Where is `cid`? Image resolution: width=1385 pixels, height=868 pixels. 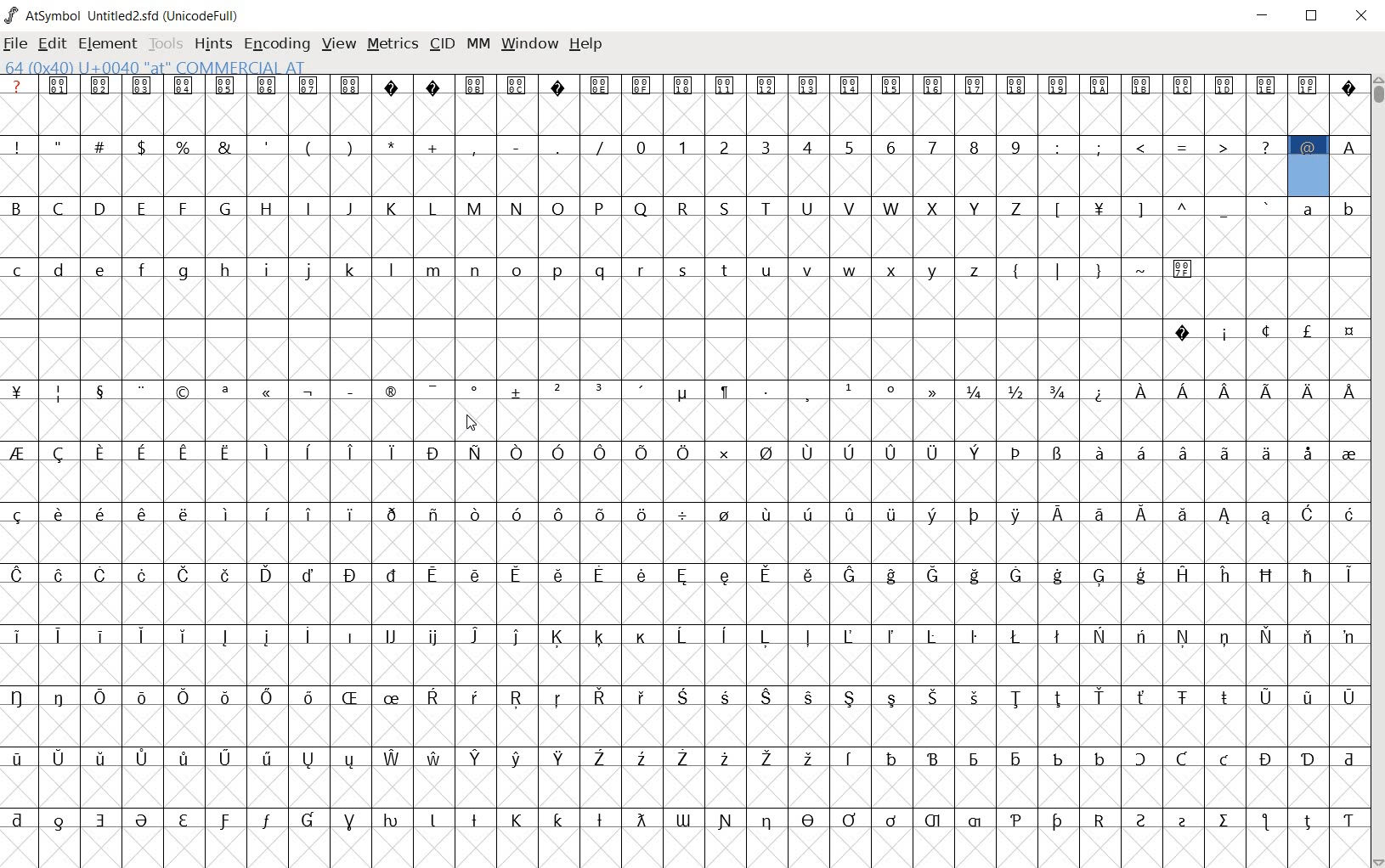 cid is located at coordinates (443, 44).